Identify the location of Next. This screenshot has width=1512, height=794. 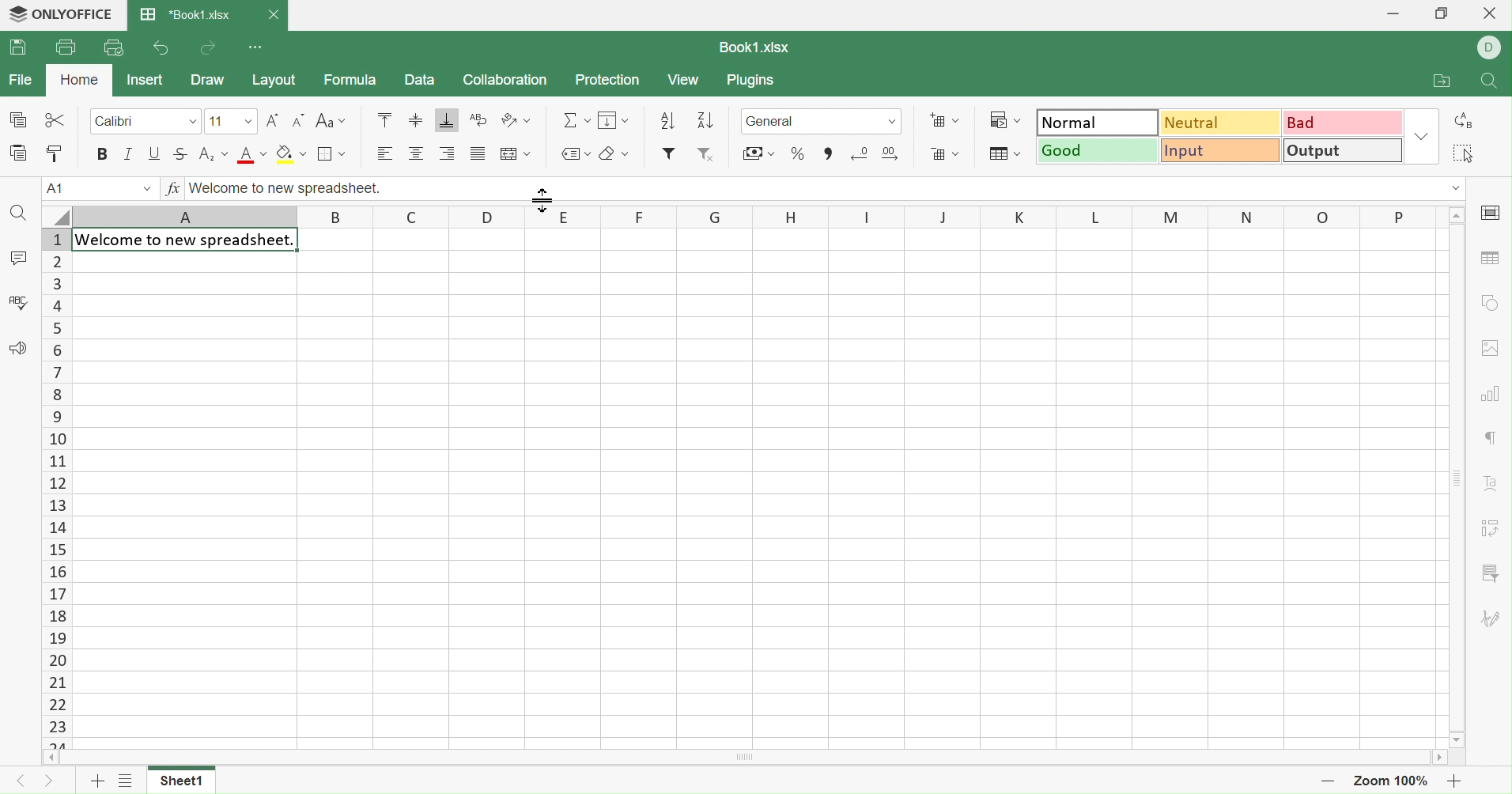
(54, 782).